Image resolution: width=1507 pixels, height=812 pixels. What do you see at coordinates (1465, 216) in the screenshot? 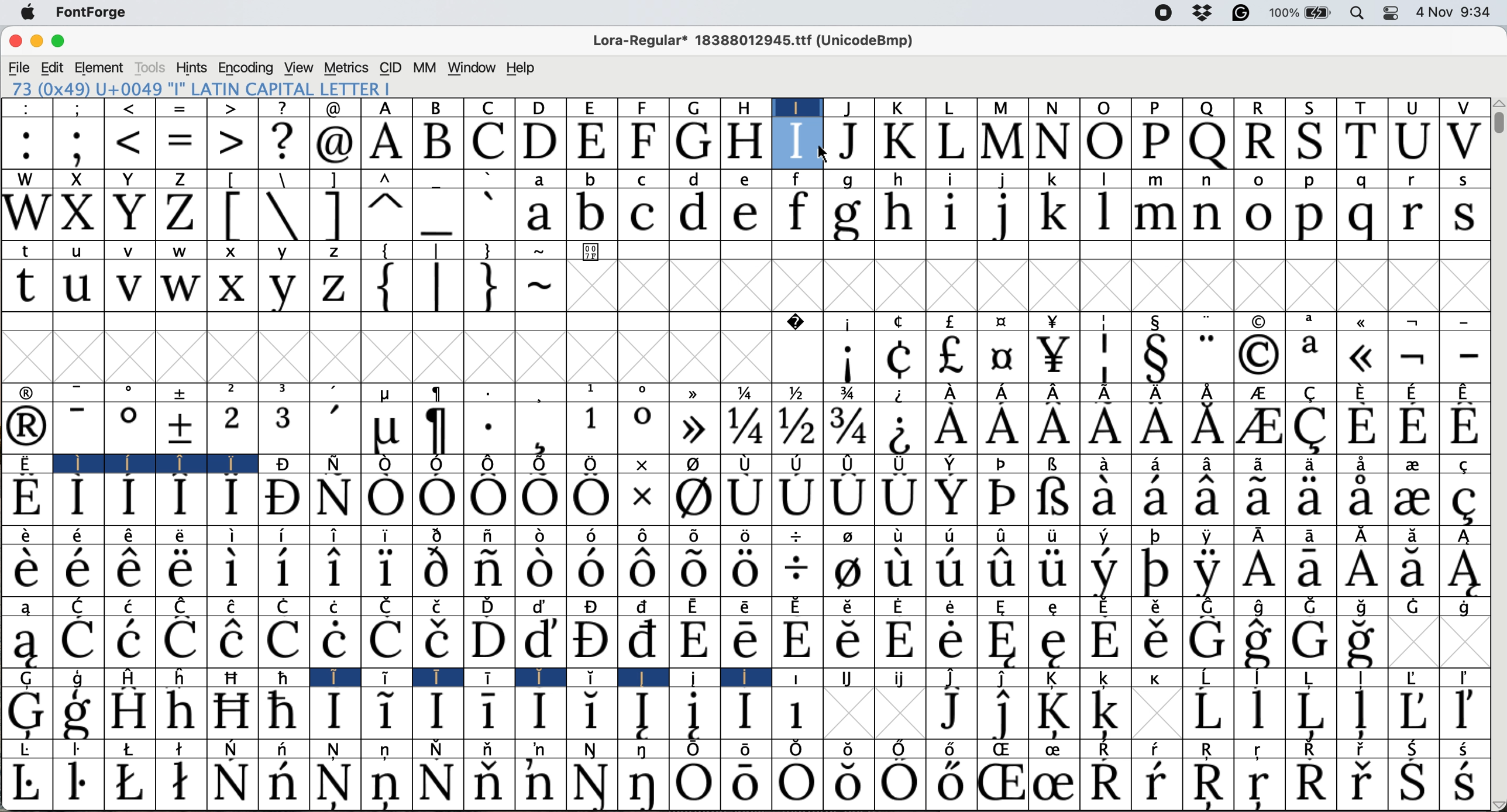
I see `s` at bounding box center [1465, 216].